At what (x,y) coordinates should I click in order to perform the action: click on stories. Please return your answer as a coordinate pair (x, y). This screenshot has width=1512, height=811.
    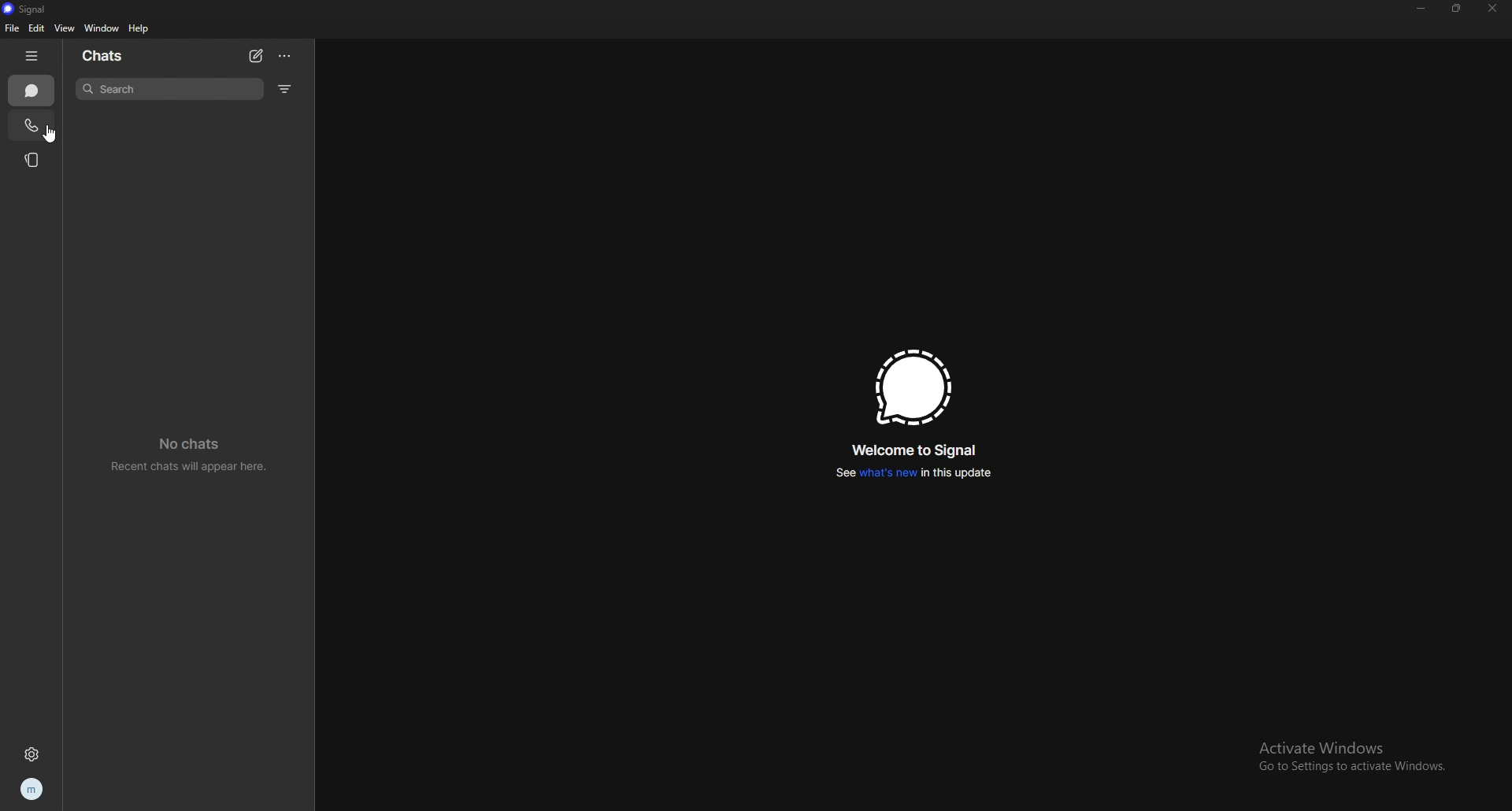
    Looking at the image, I should click on (34, 159).